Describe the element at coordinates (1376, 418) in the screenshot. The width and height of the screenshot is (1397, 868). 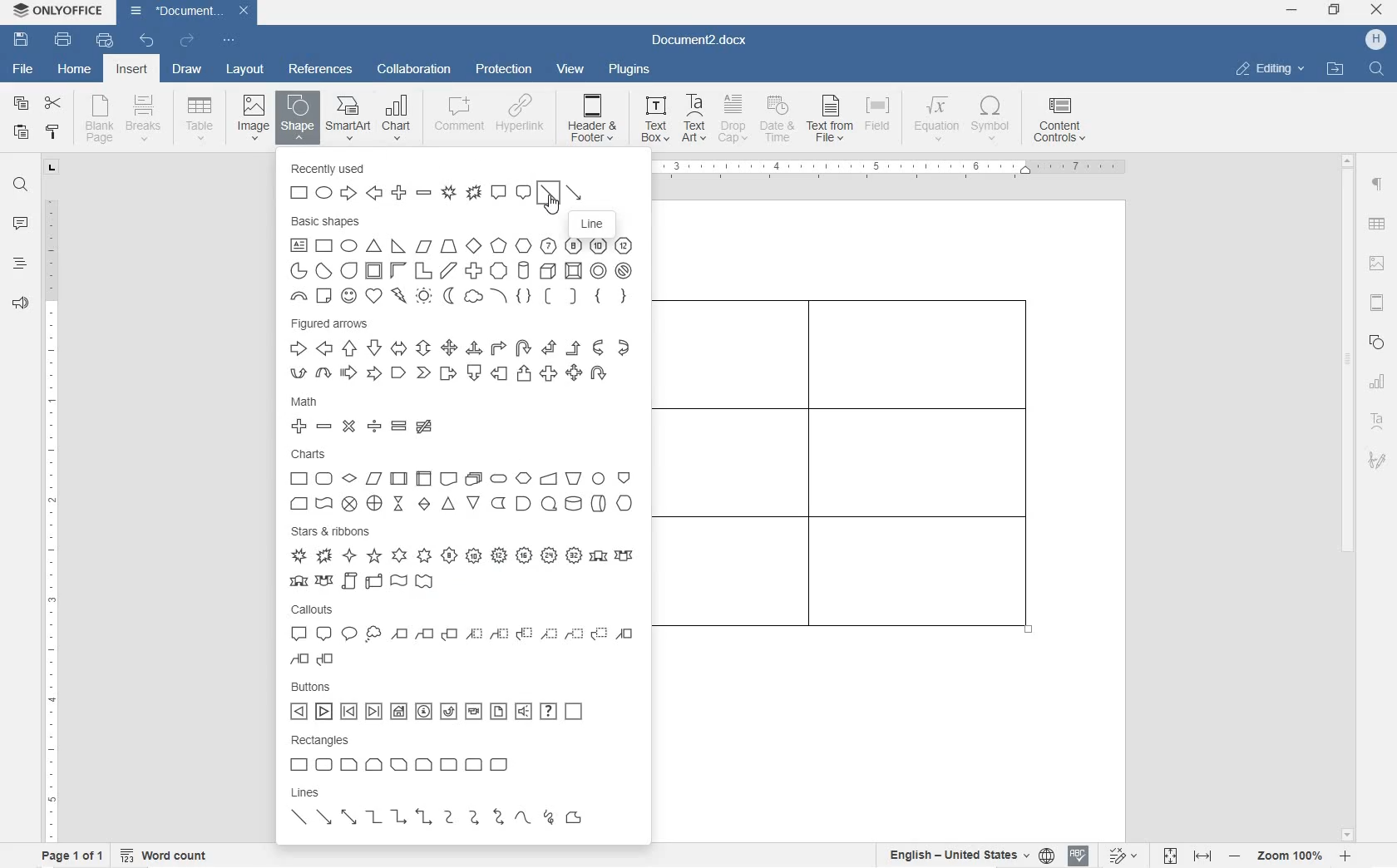
I see `textart` at that location.